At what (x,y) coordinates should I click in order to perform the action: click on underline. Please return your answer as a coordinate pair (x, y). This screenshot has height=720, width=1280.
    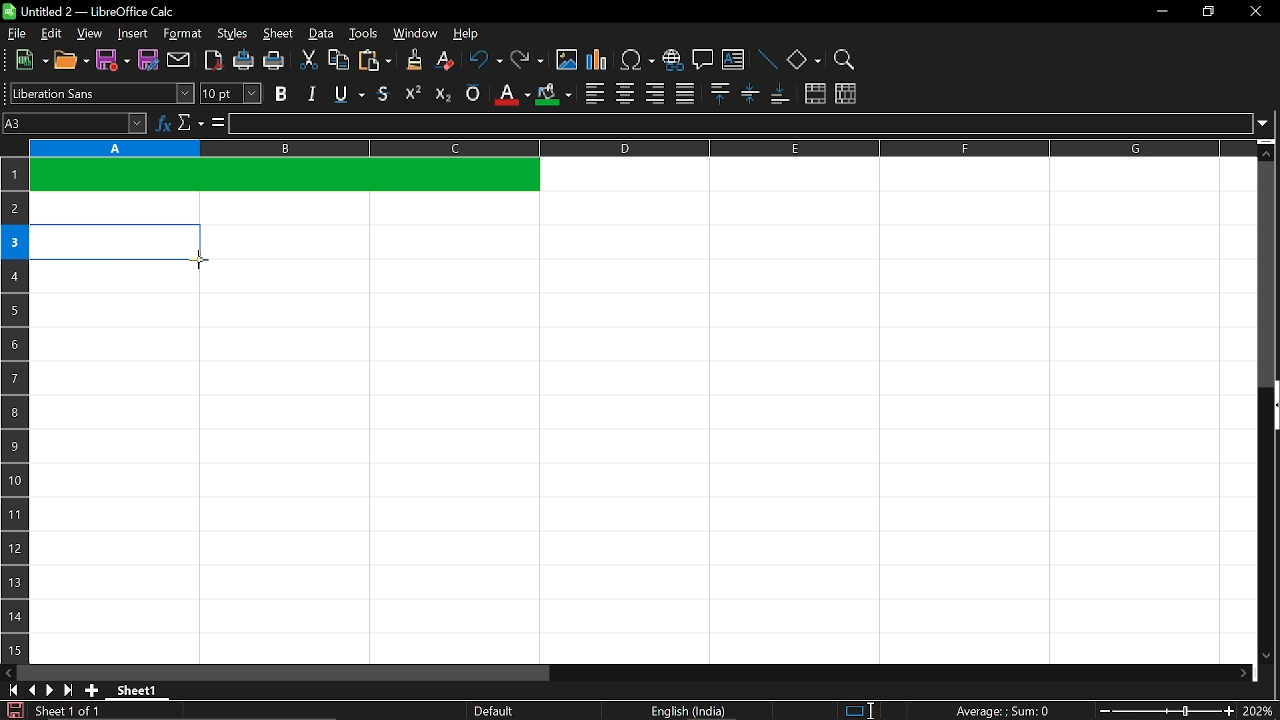
    Looking at the image, I should click on (346, 94).